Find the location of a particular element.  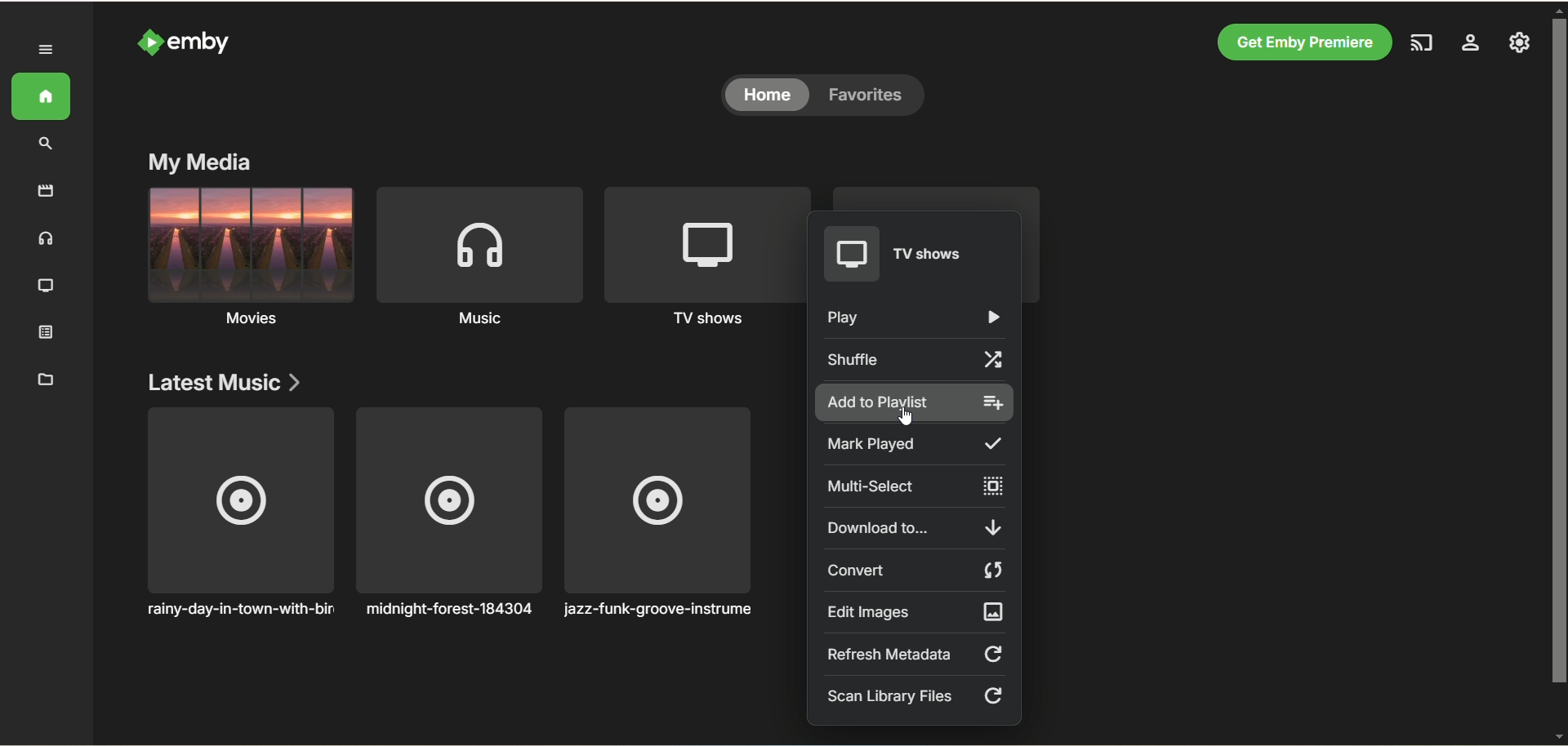

movies is located at coordinates (249, 260).